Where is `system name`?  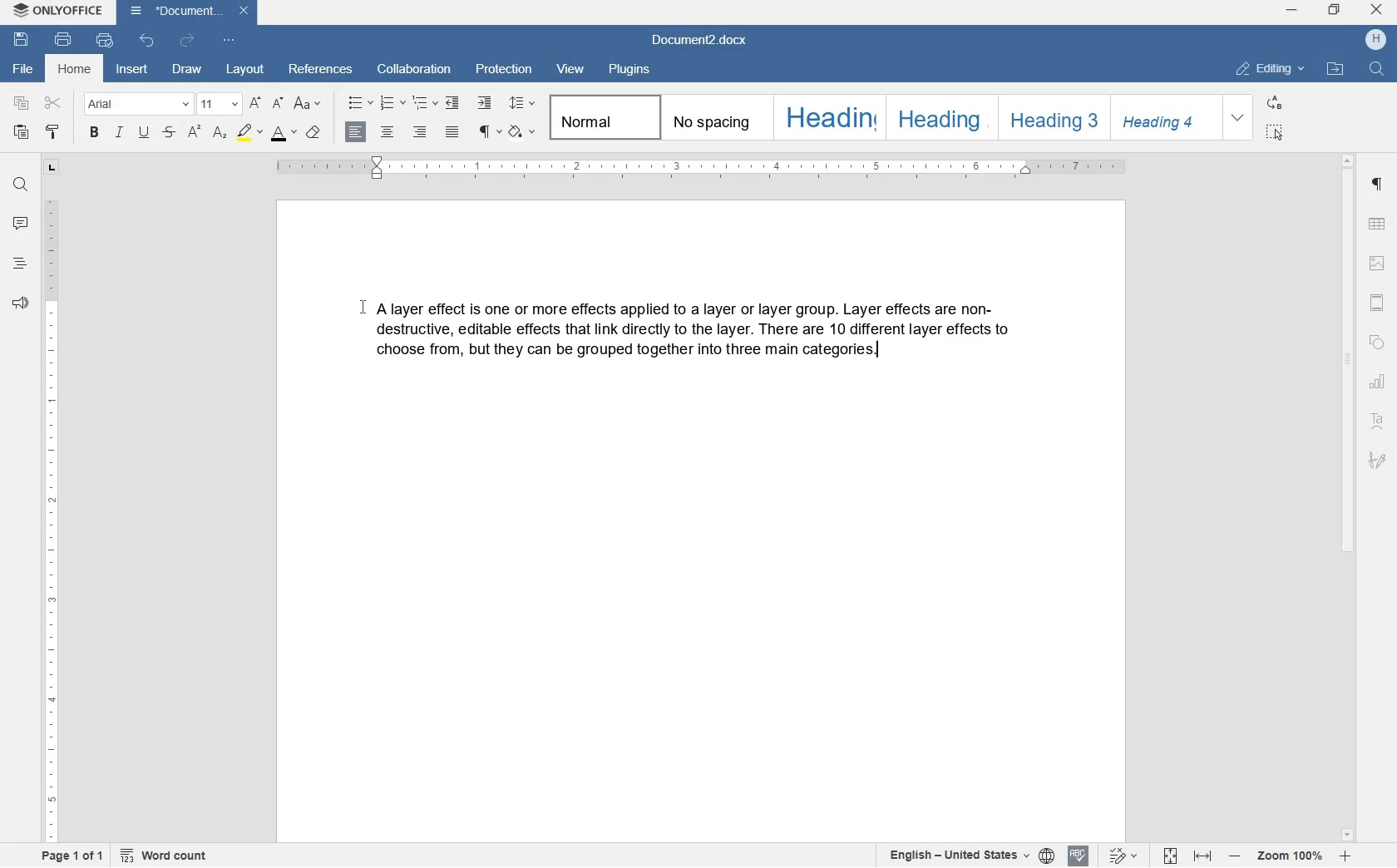
system name is located at coordinates (57, 12).